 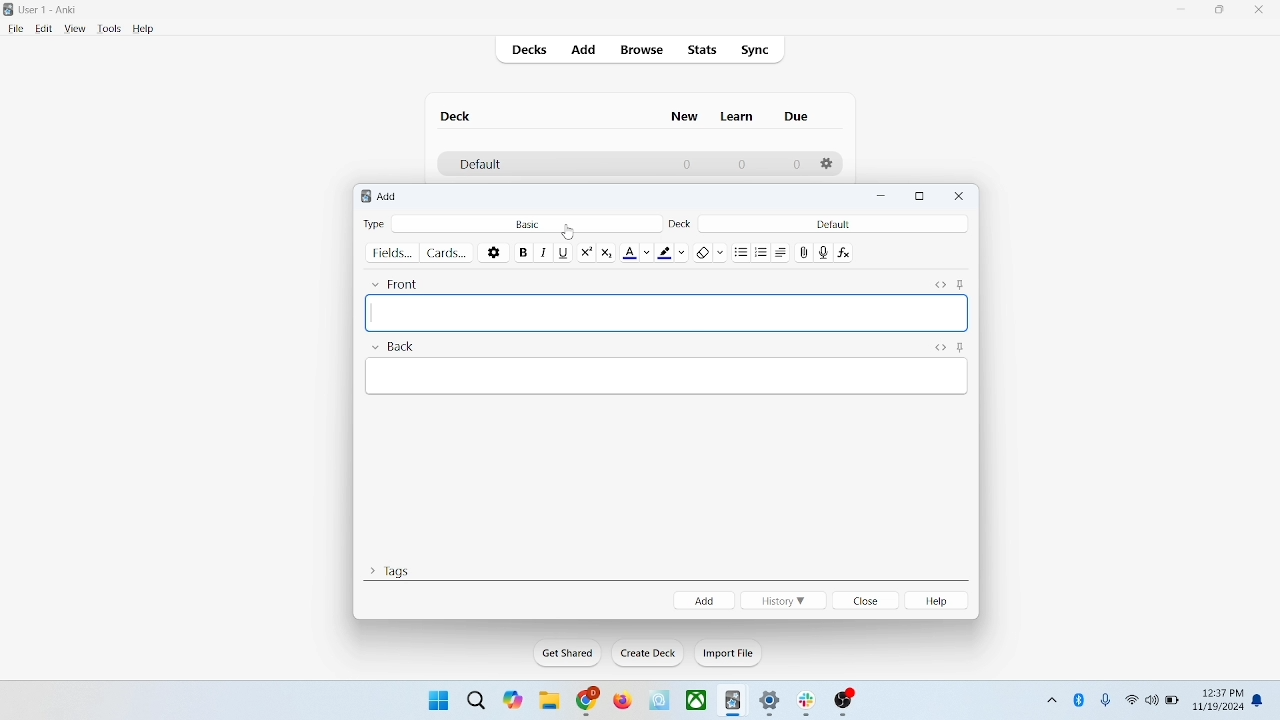 I want to click on notification, so click(x=1260, y=701).